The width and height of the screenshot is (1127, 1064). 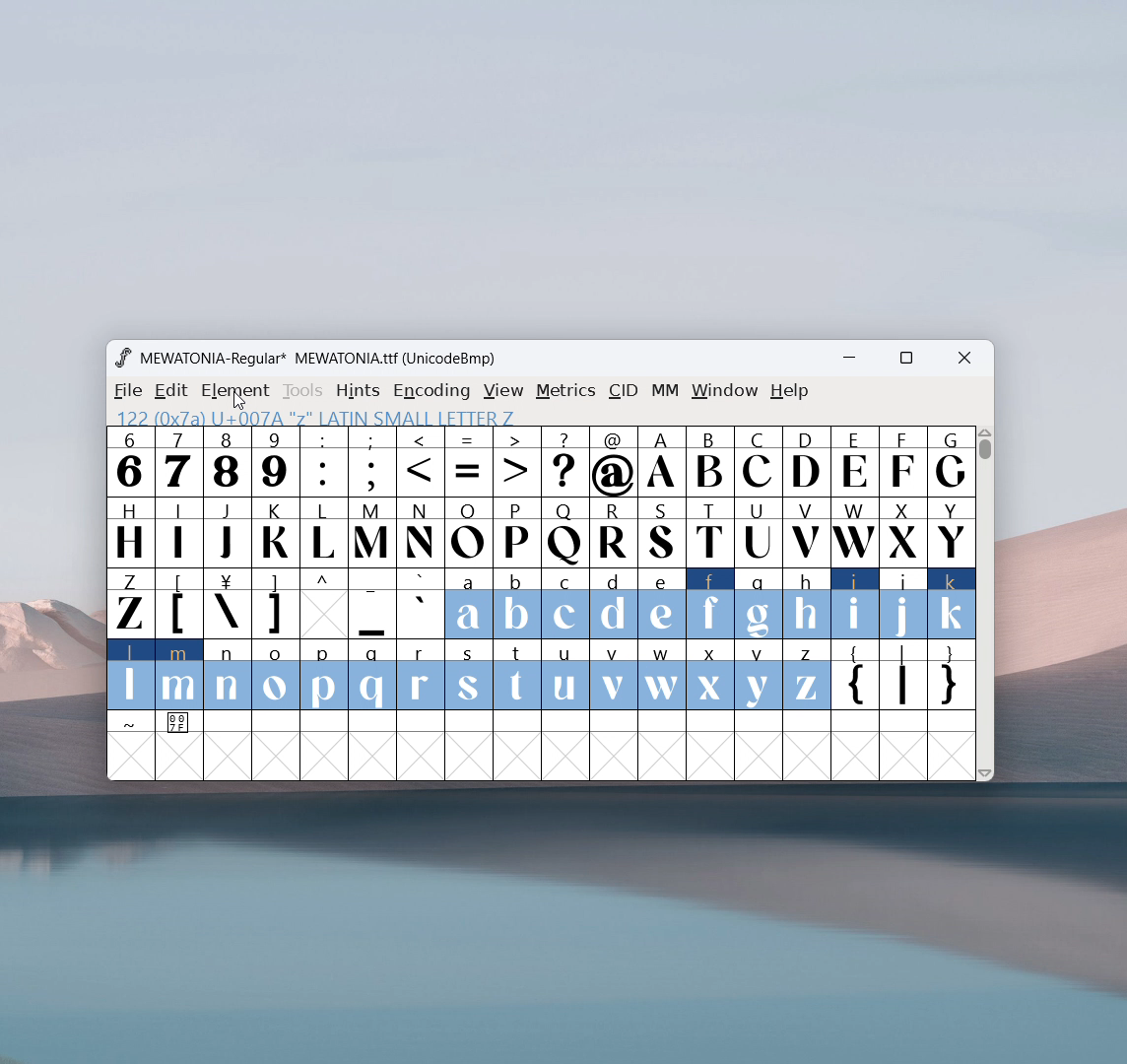 I want to click on edit, so click(x=172, y=391).